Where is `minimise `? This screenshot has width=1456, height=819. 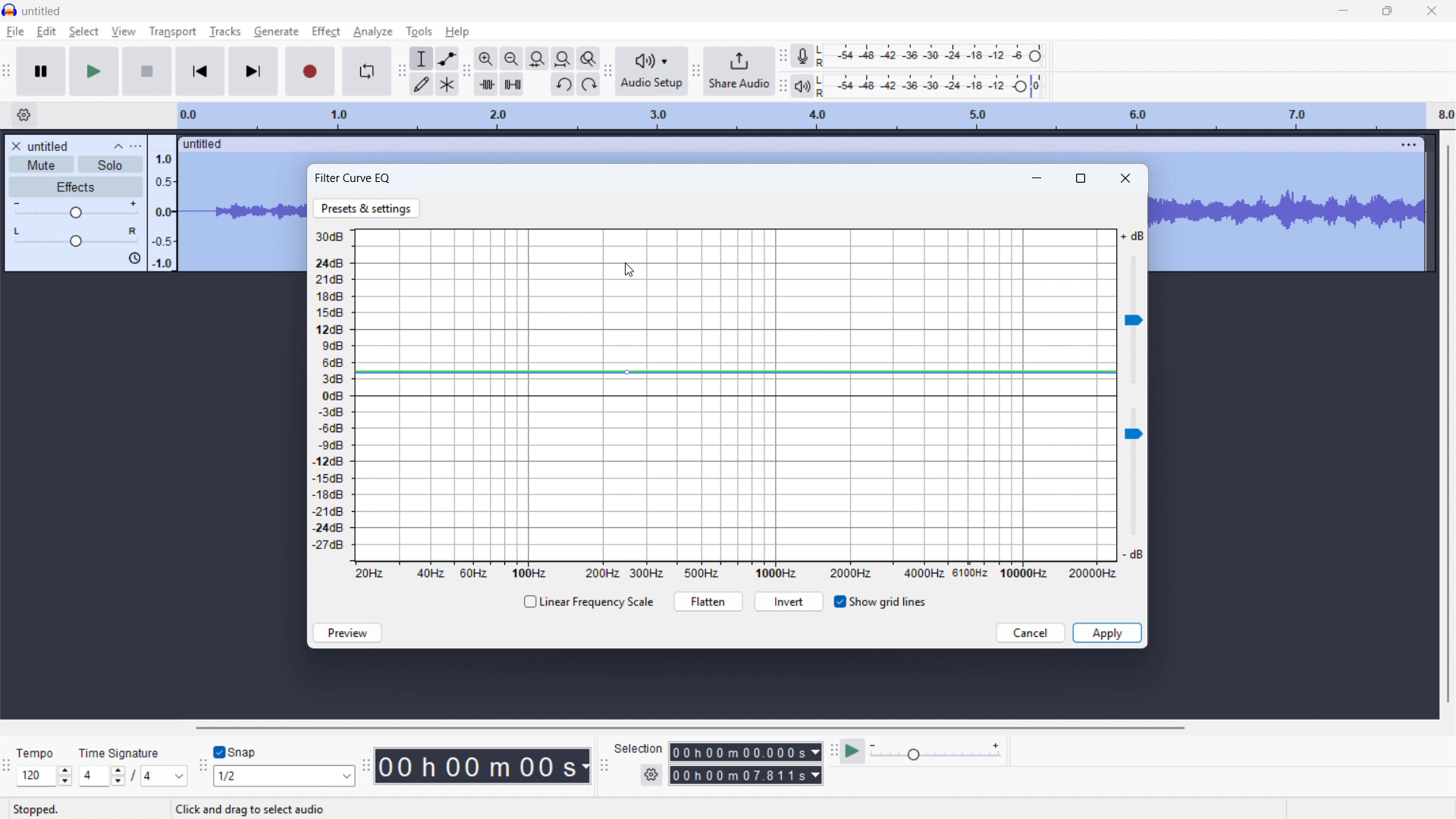
minimise  is located at coordinates (1036, 177).